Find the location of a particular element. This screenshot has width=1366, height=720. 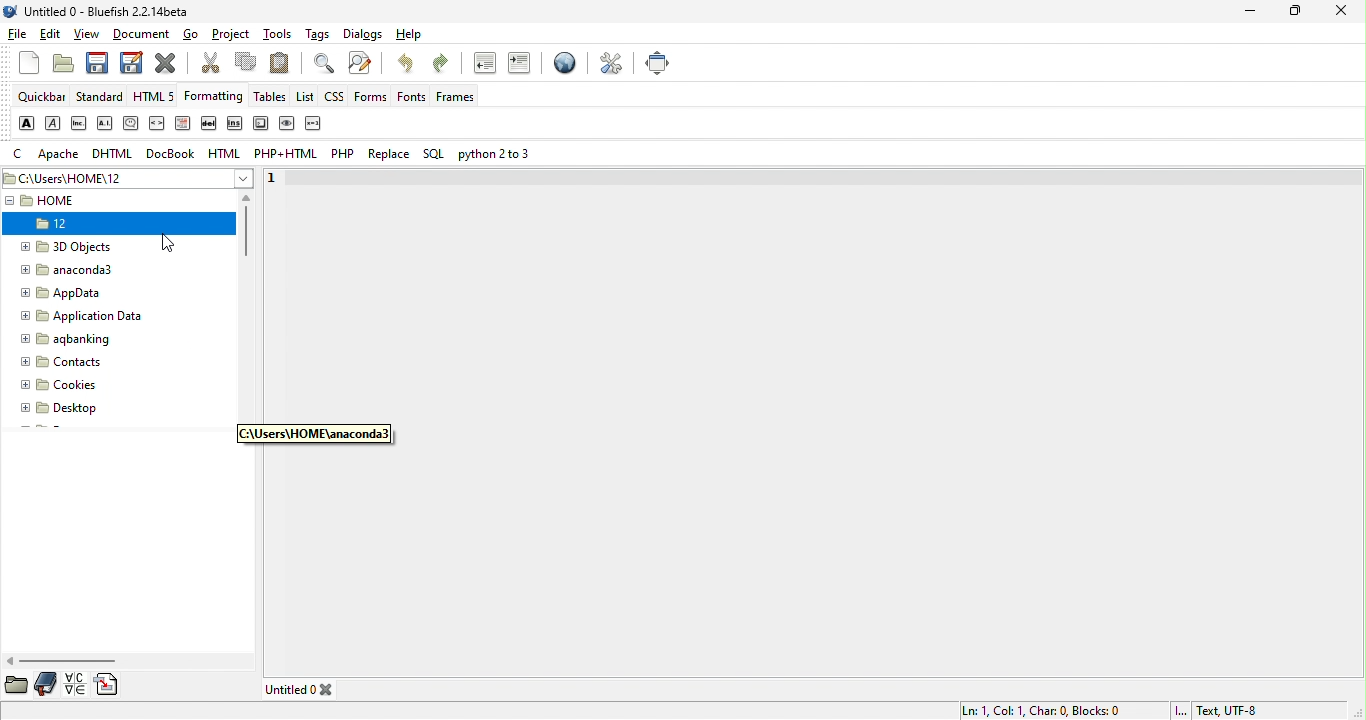

anaconda3 is located at coordinates (81, 272).